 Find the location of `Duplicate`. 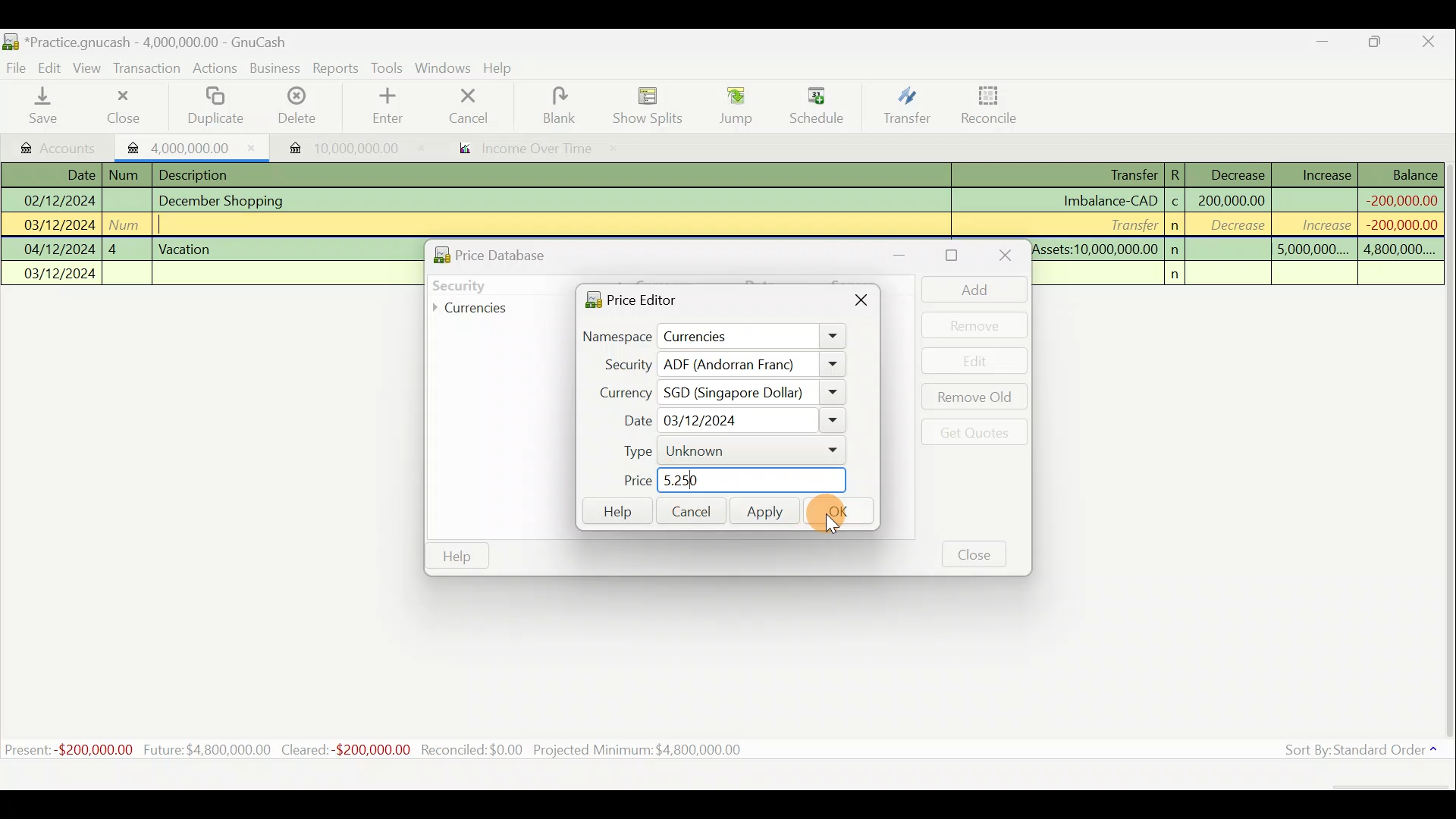

Duplicate is located at coordinates (218, 106).